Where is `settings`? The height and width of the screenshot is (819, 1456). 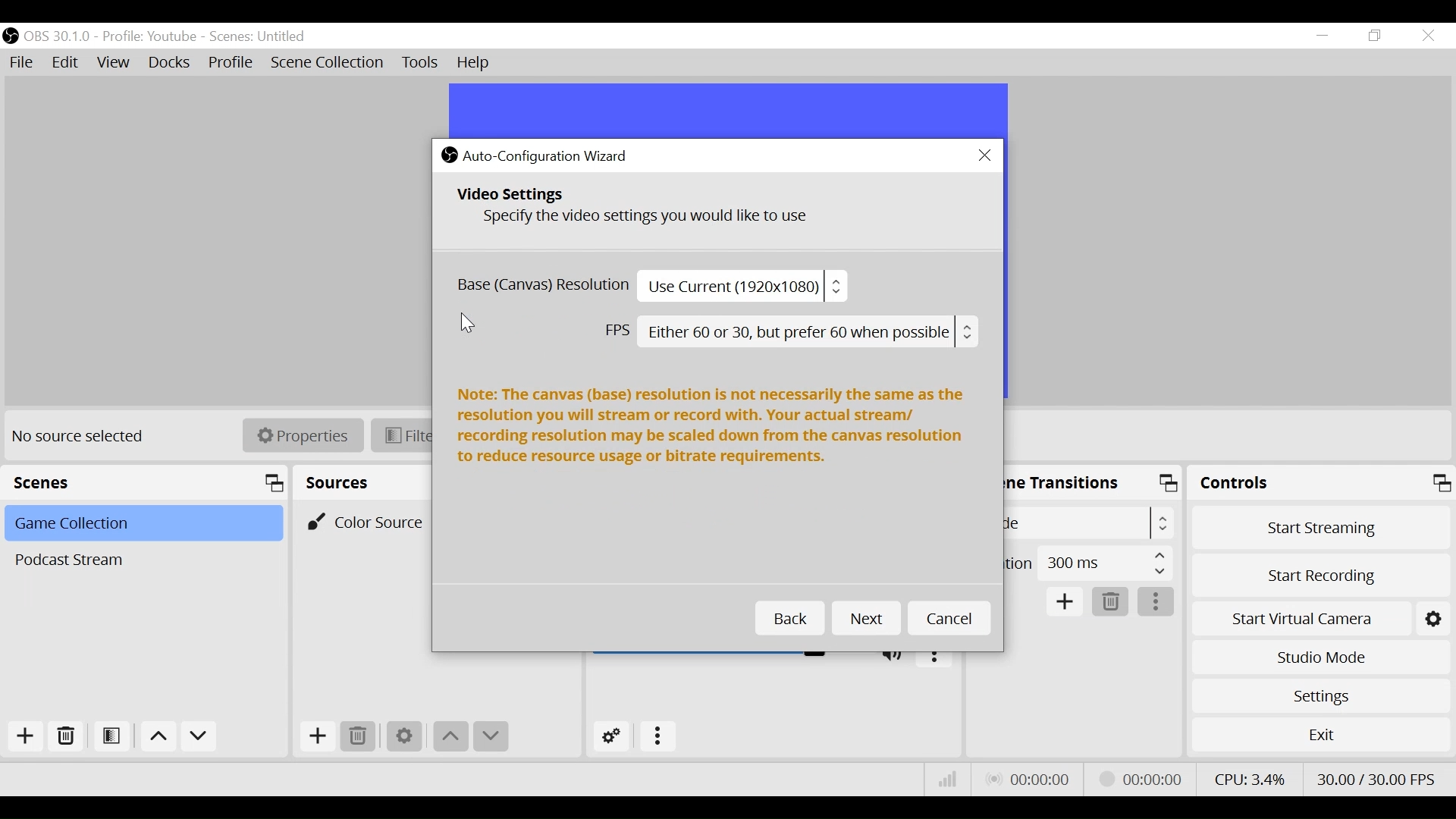 settings is located at coordinates (1436, 617).